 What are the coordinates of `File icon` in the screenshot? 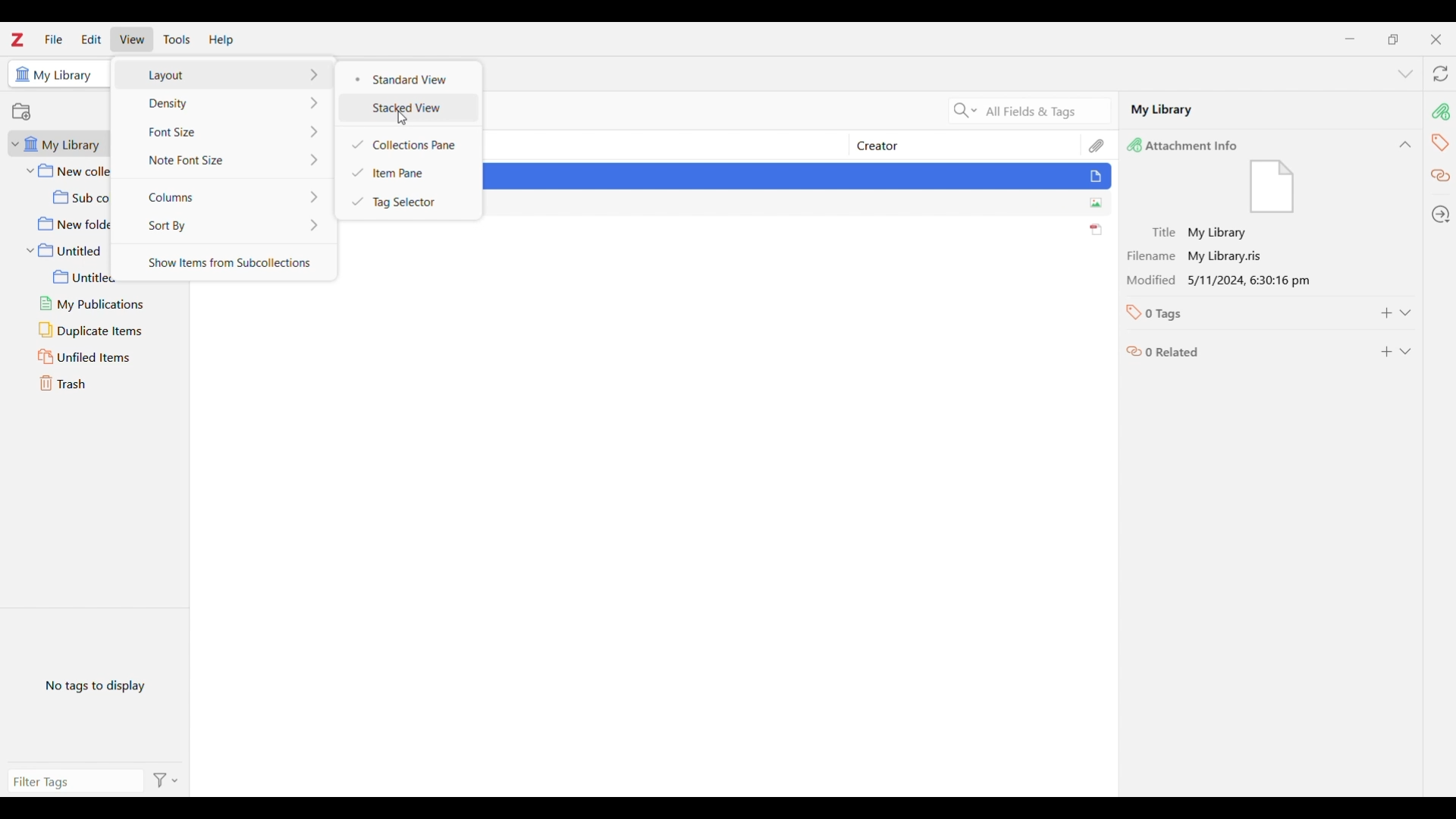 It's located at (1274, 190).